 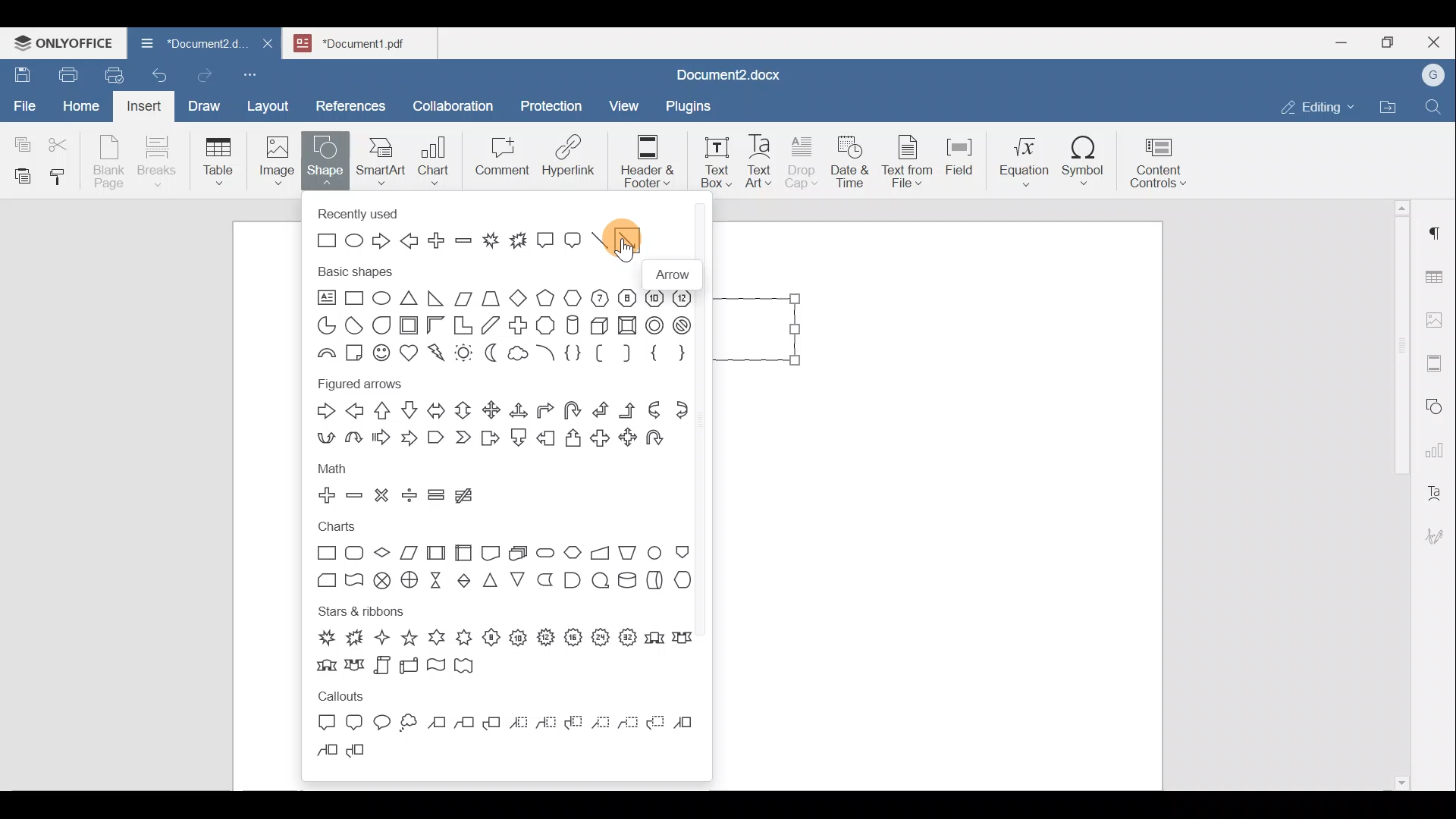 What do you see at coordinates (1438, 404) in the screenshot?
I see `Shapes settings` at bounding box center [1438, 404].